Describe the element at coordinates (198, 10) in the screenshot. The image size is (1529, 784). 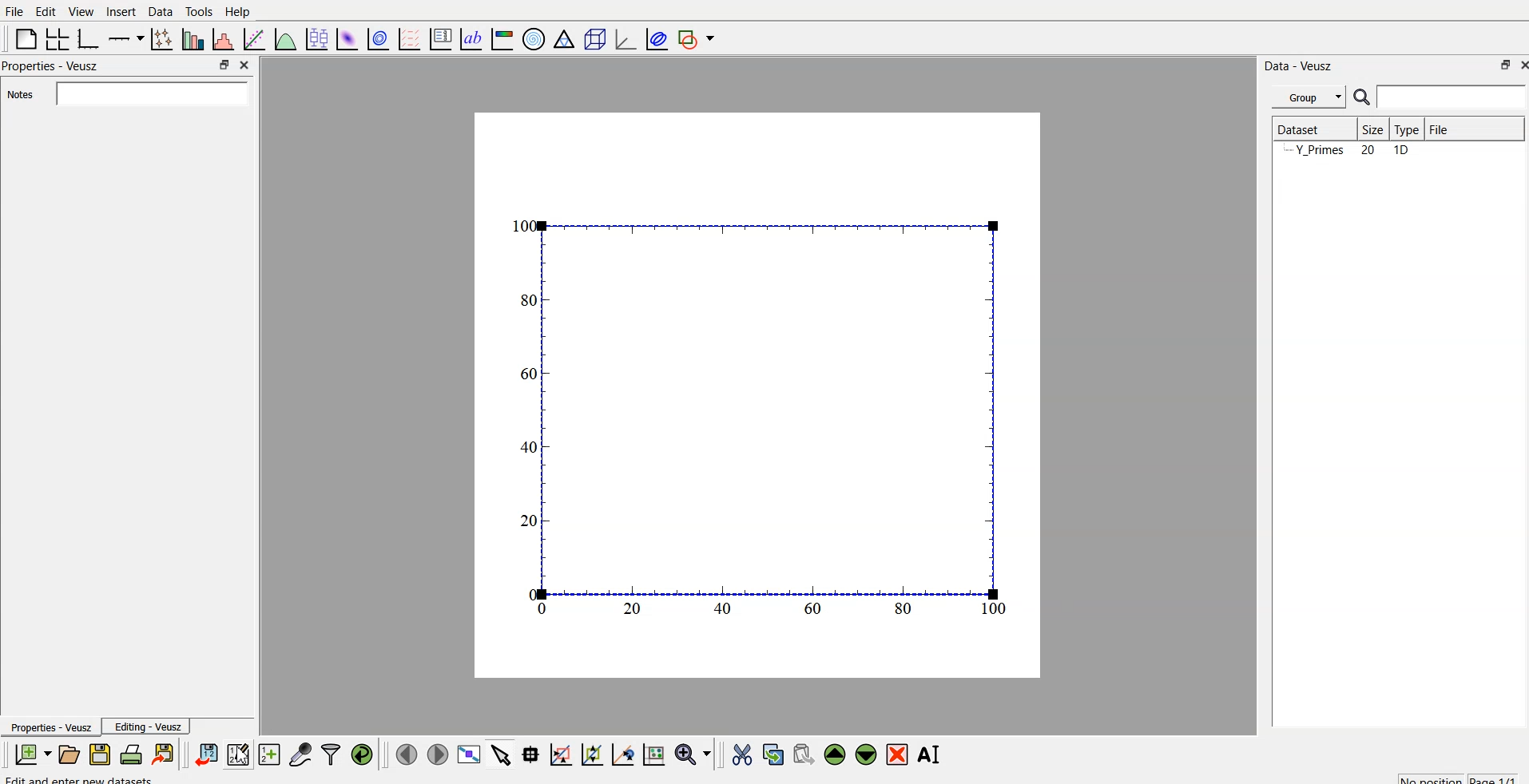
I see `Tools` at that location.